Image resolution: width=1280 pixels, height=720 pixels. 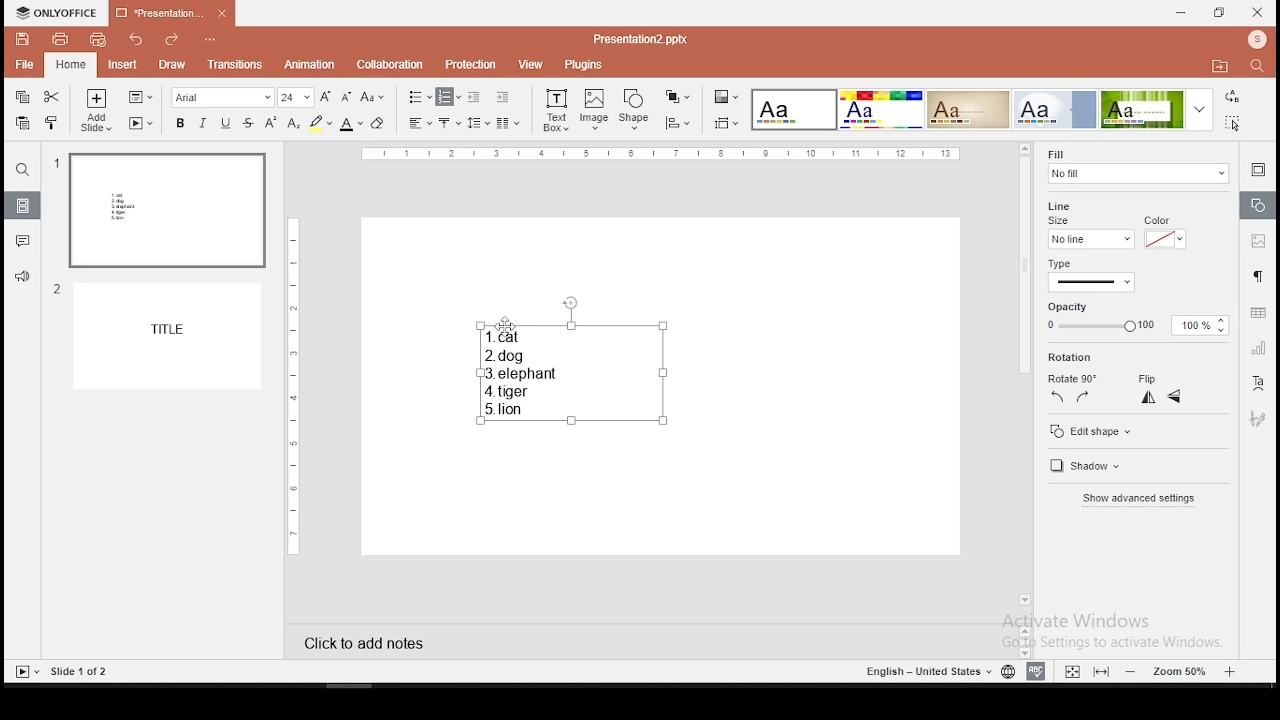 What do you see at coordinates (1072, 669) in the screenshot?
I see `fit to slide` at bounding box center [1072, 669].